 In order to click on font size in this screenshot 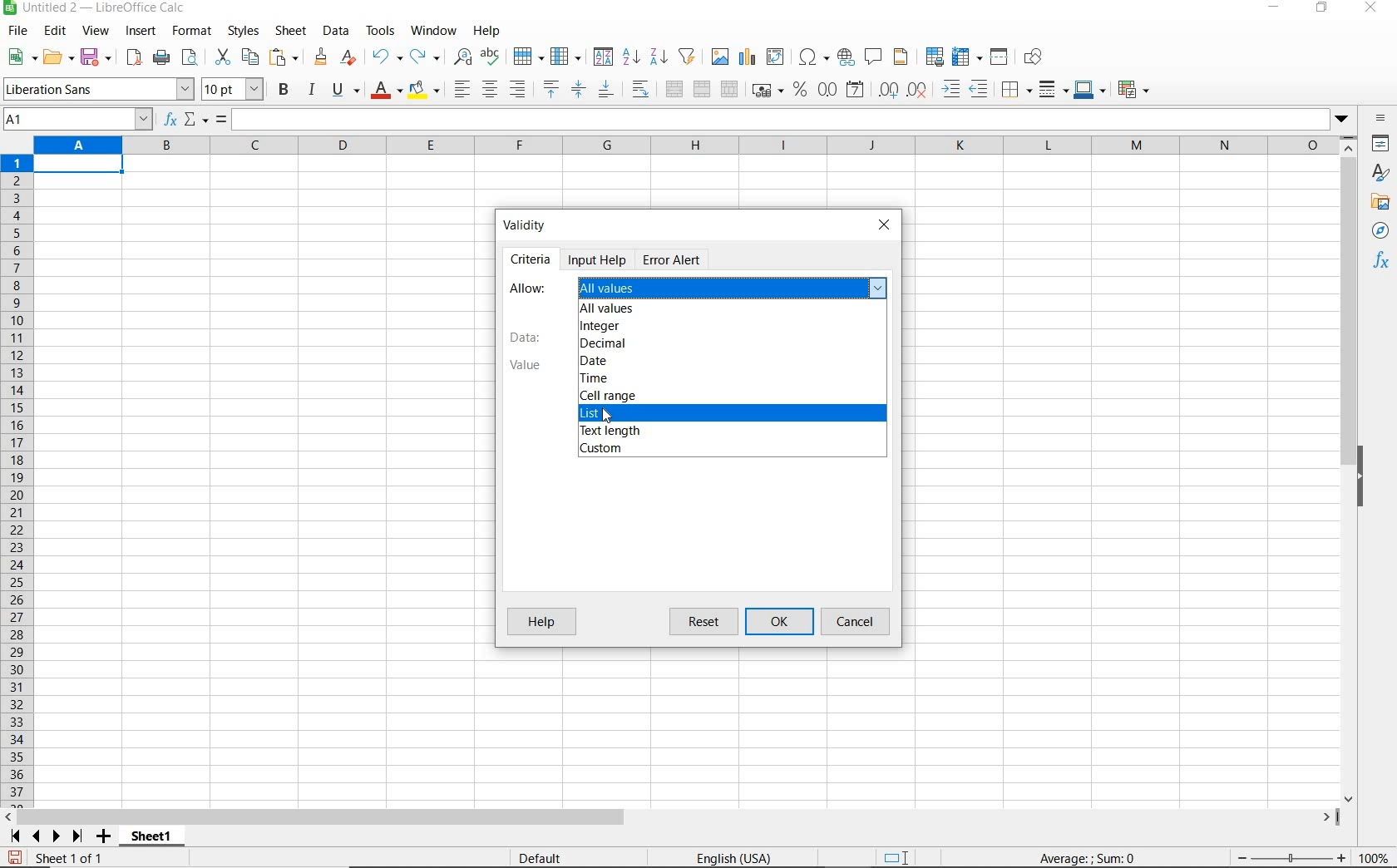, I will do `click(233, 89)`.